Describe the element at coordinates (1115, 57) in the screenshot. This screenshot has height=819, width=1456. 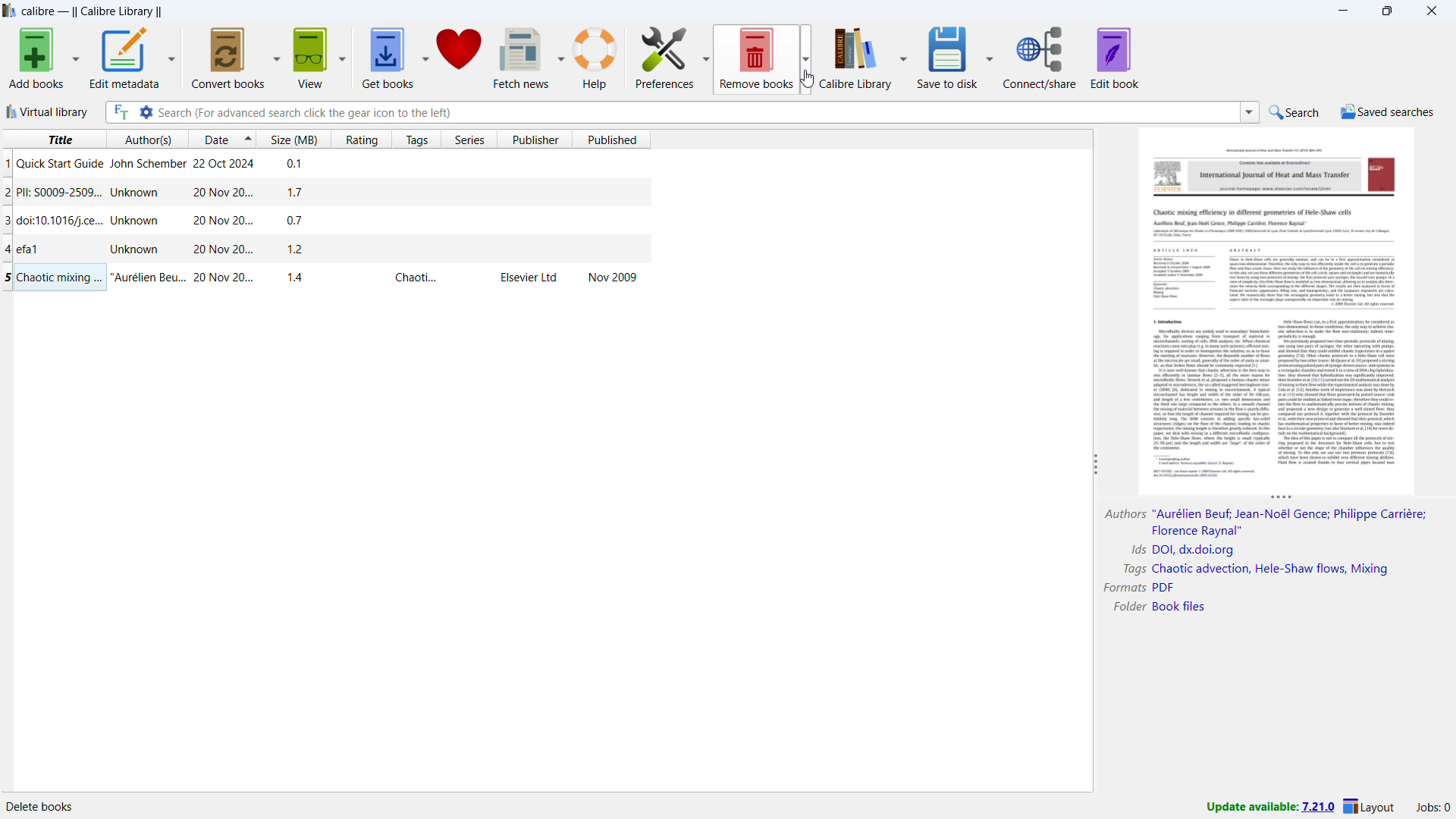
I see `edit book` at that location.